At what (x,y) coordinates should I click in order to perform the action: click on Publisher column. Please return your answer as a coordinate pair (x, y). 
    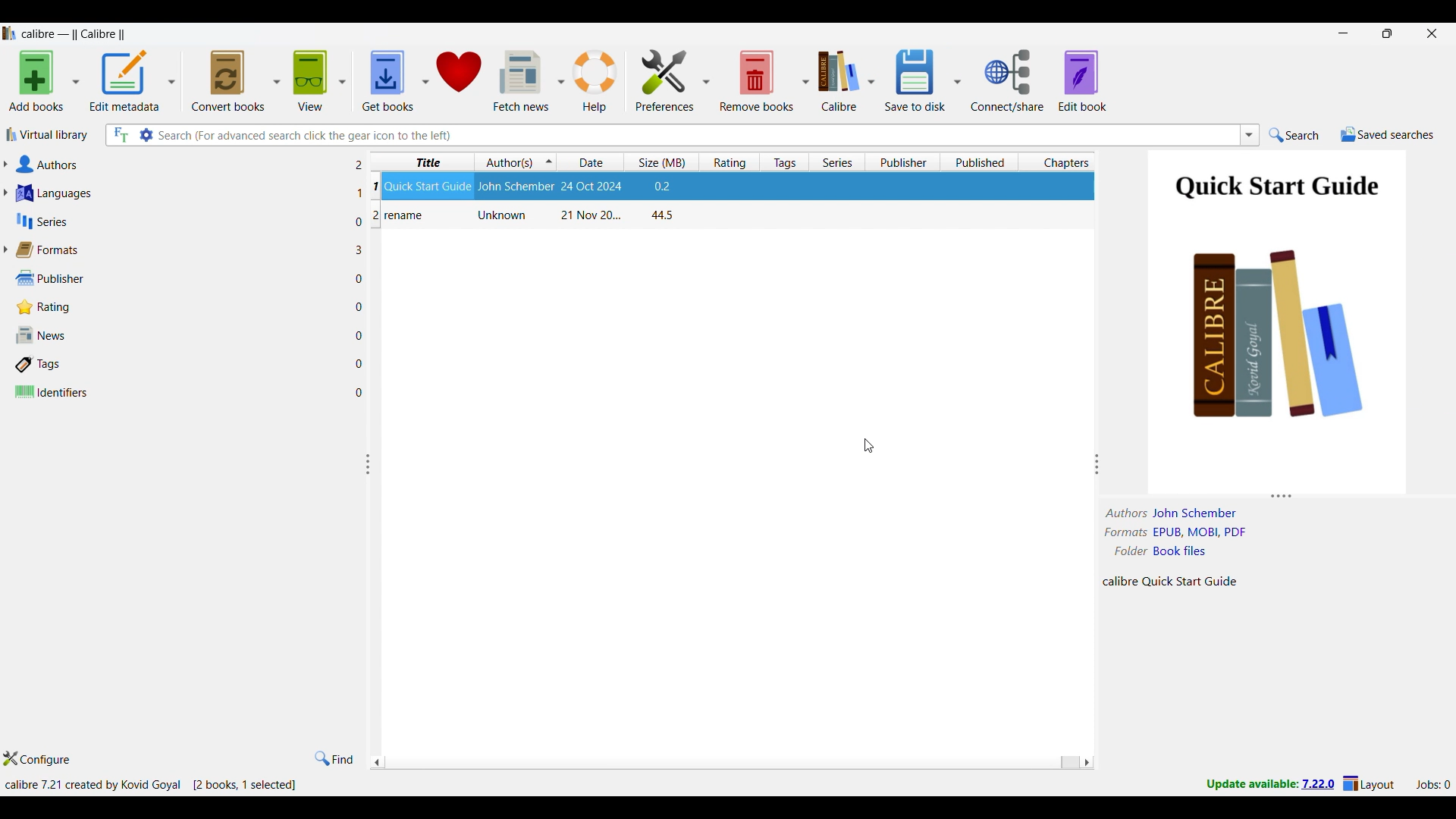
    Looking at the image, I should click on (902, 162).